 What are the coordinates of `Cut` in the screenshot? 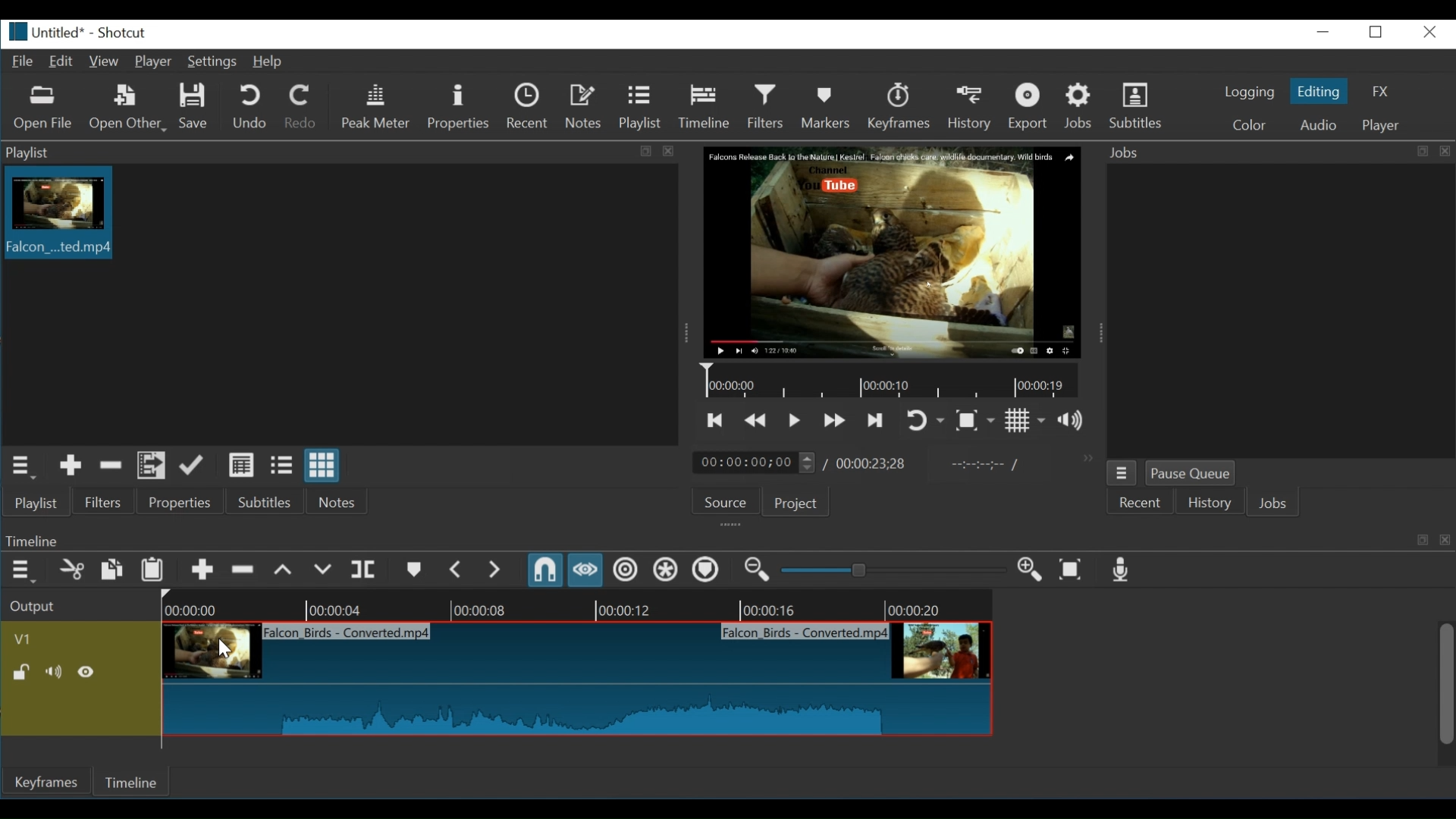 It's located at (72, 570).